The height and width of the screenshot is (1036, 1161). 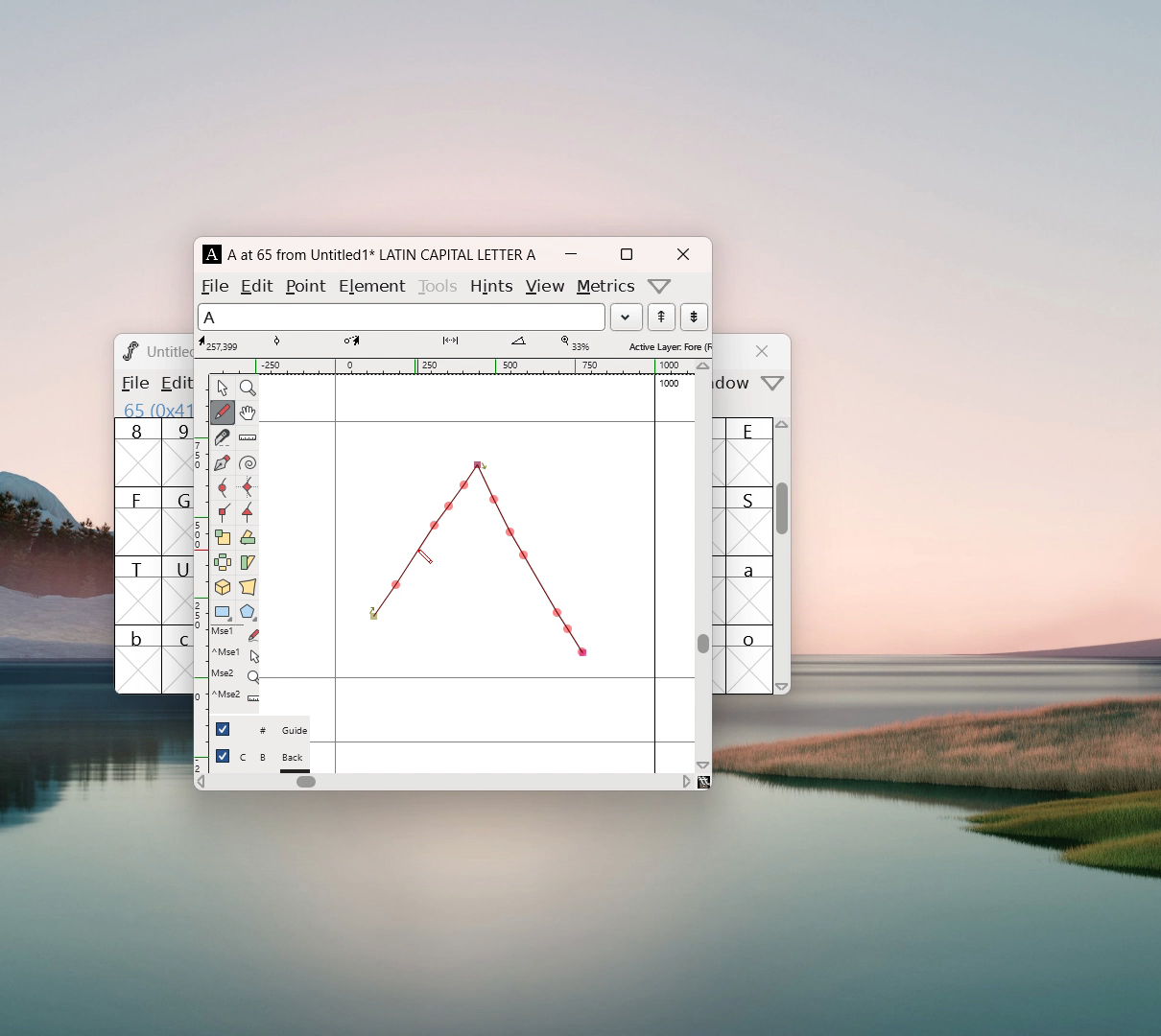 What do you see at coordinates (784, 429) in the screenshot?
I see `scroll up` at bounding box center [784, 429].